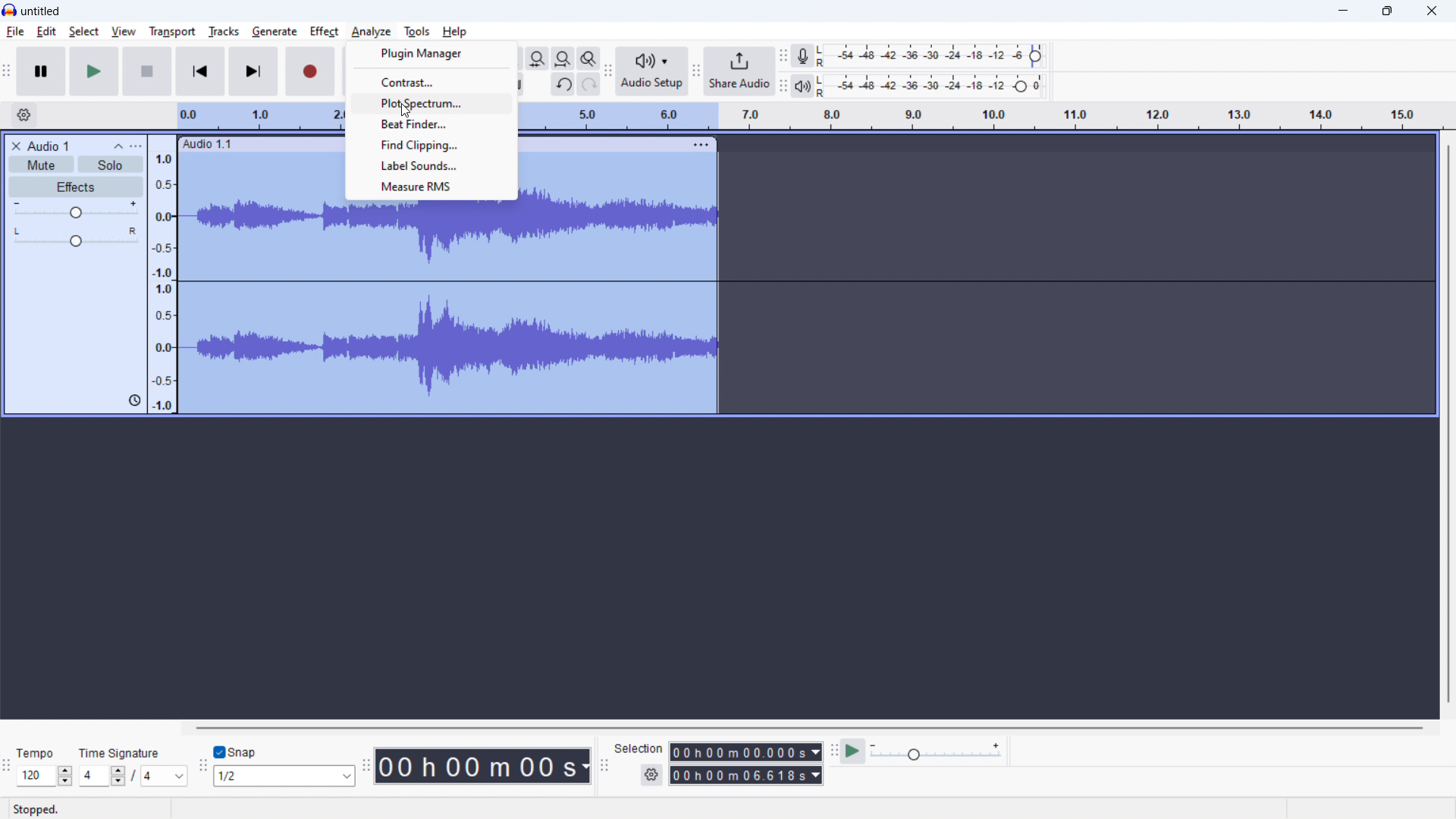 The width and height of the screenshot is (1456, 819). I want to click on playback meter, so click(801, 86).